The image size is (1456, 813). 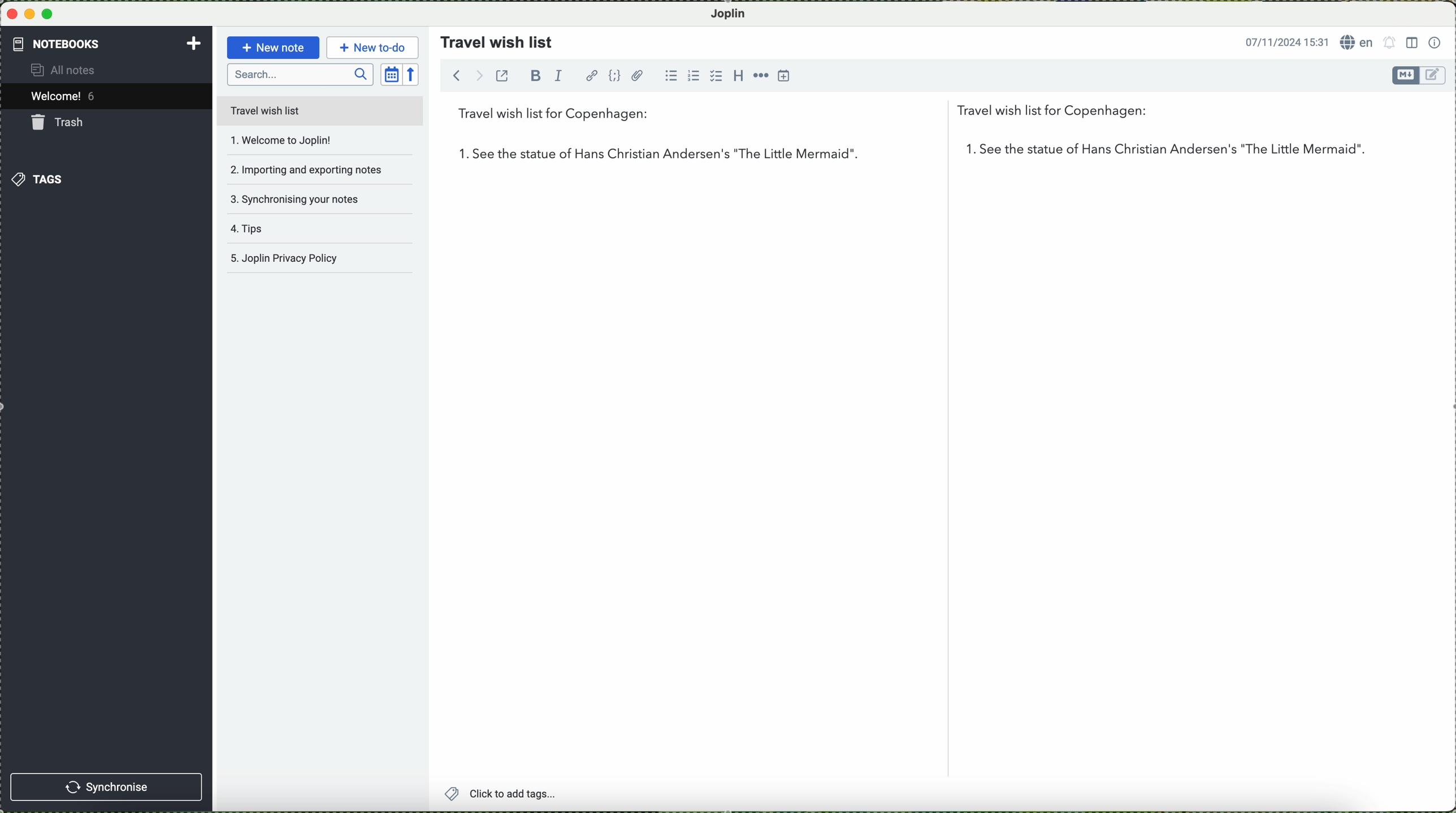 What do you see at coordinates (693, 71) in the screenshot?
I see `numbered list` at bounding box center [693, 71].